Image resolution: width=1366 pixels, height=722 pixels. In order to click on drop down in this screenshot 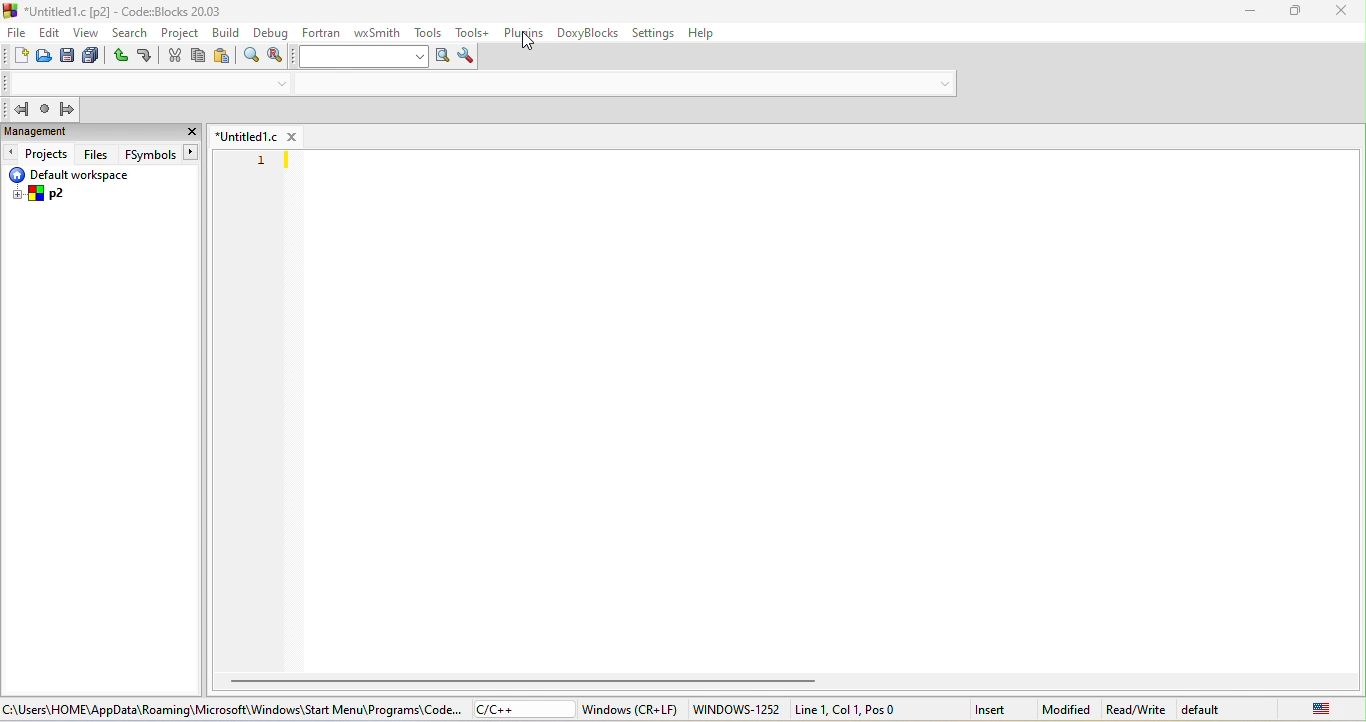, I will do `click(282, 85)`.